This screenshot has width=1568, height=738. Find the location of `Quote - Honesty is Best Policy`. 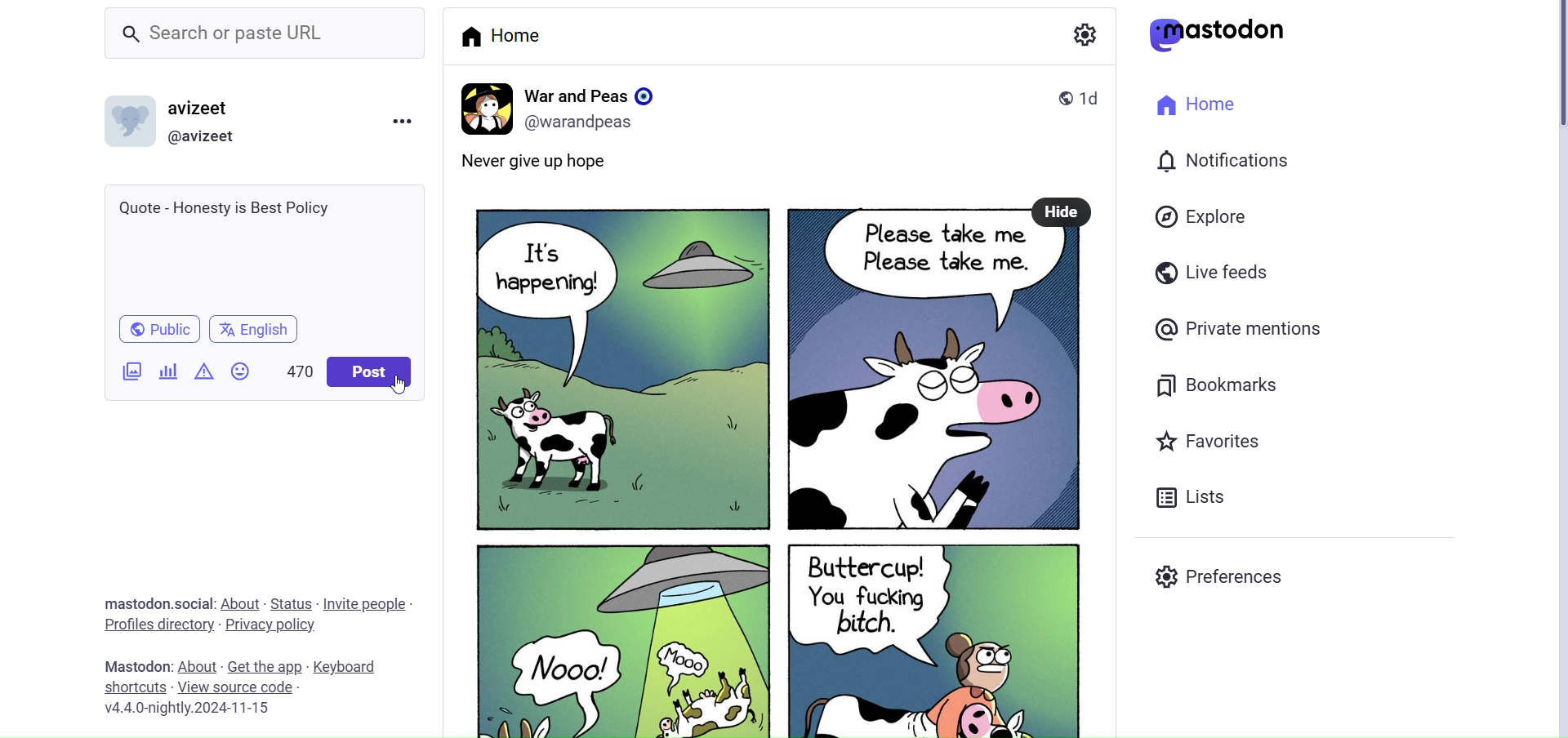

Quote - Honesty is Best Policy is located at coordinates (261, 245).